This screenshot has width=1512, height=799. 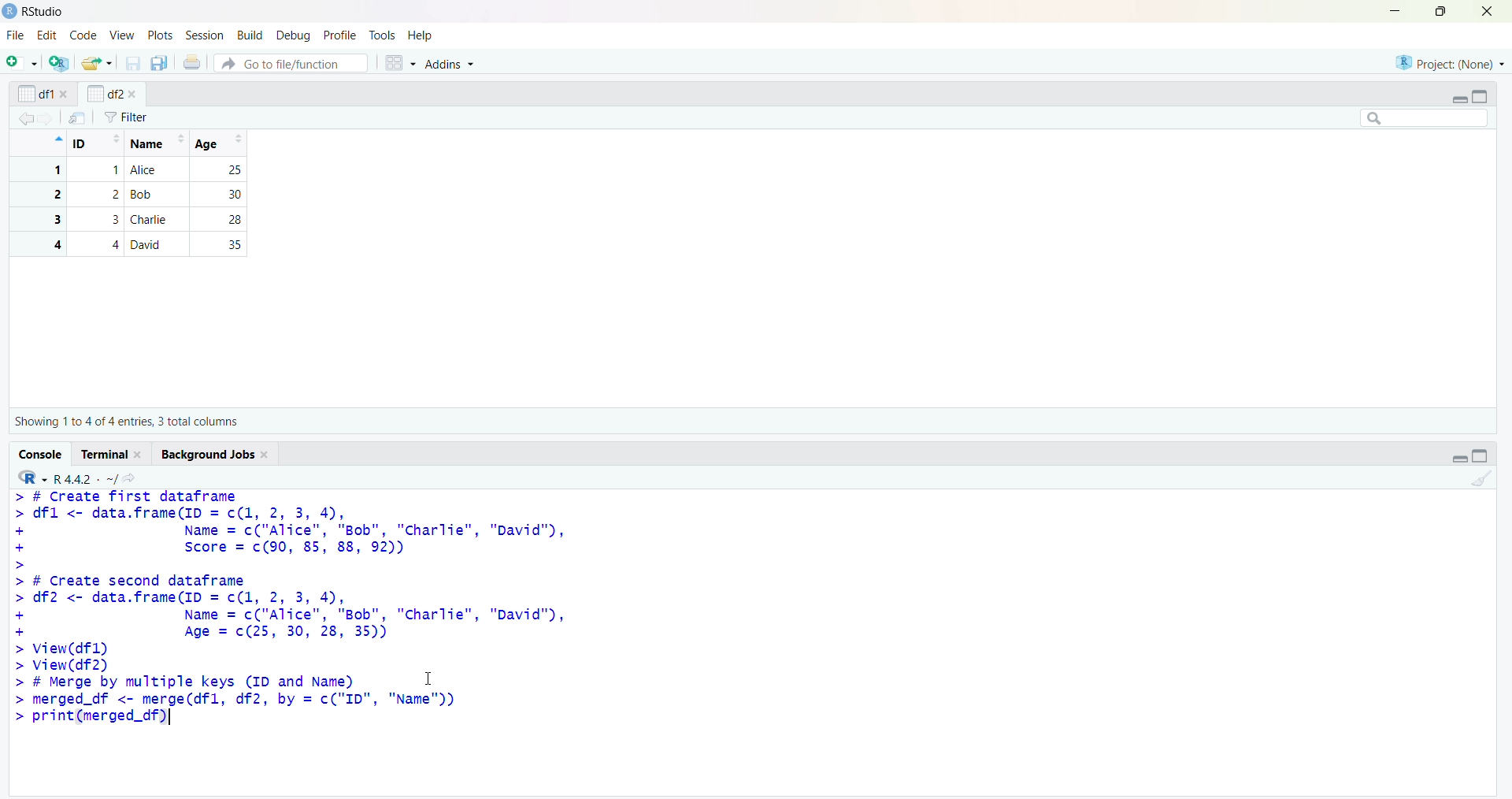 What do you see at coordinates (291, 582) in the screenshot?
I see `> # Create first dataframe> dfl <- data.frame(ID = c(1, 2, 3, 4),+ Name = c("Alice", "Bob", "charlie", "David"),+ Score = c(90, 85, 88, 92))>> # Create second dataframe> df2 <- data.frame(ID = c(1, 2, 3, 4),+ Name = c("Alice", "Bob", "Charlie", "David"),+ Age = c(25, 30, 28, 35))> View(dfl) > View(df2)` at bounding box center [291, 582].